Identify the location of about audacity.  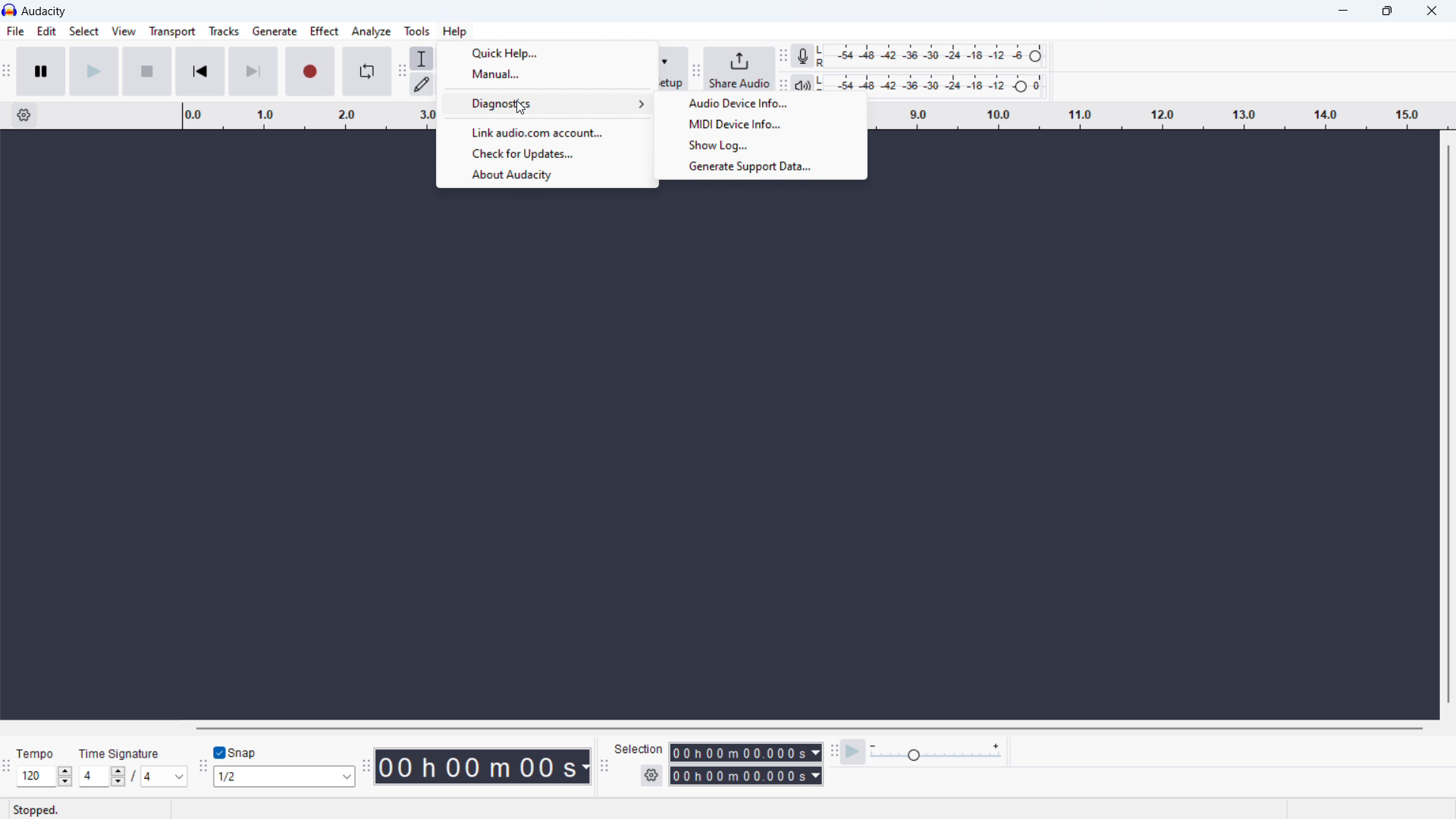
(546, 176).